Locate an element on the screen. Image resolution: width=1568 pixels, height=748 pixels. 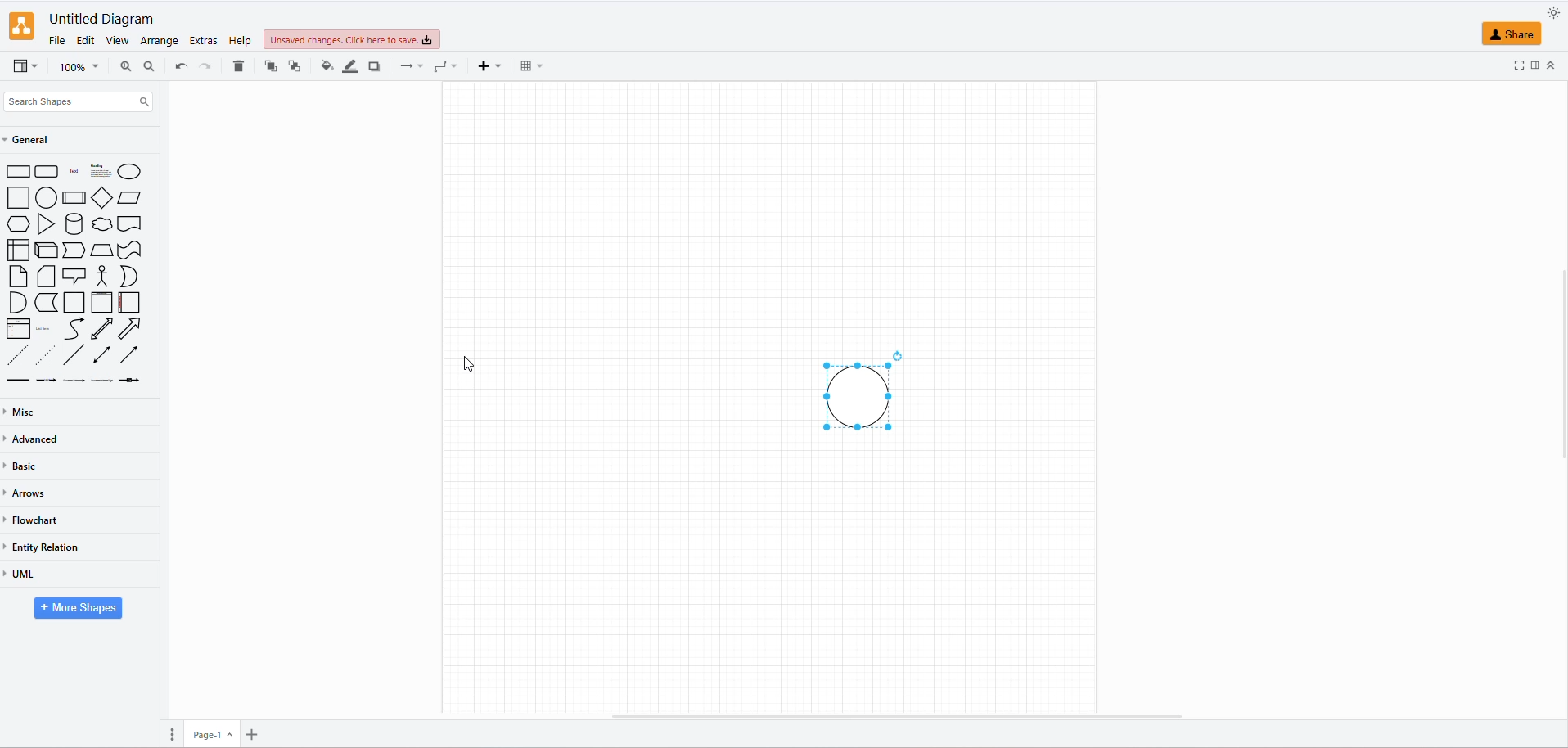
cursor is located at coordinates (471, 361).